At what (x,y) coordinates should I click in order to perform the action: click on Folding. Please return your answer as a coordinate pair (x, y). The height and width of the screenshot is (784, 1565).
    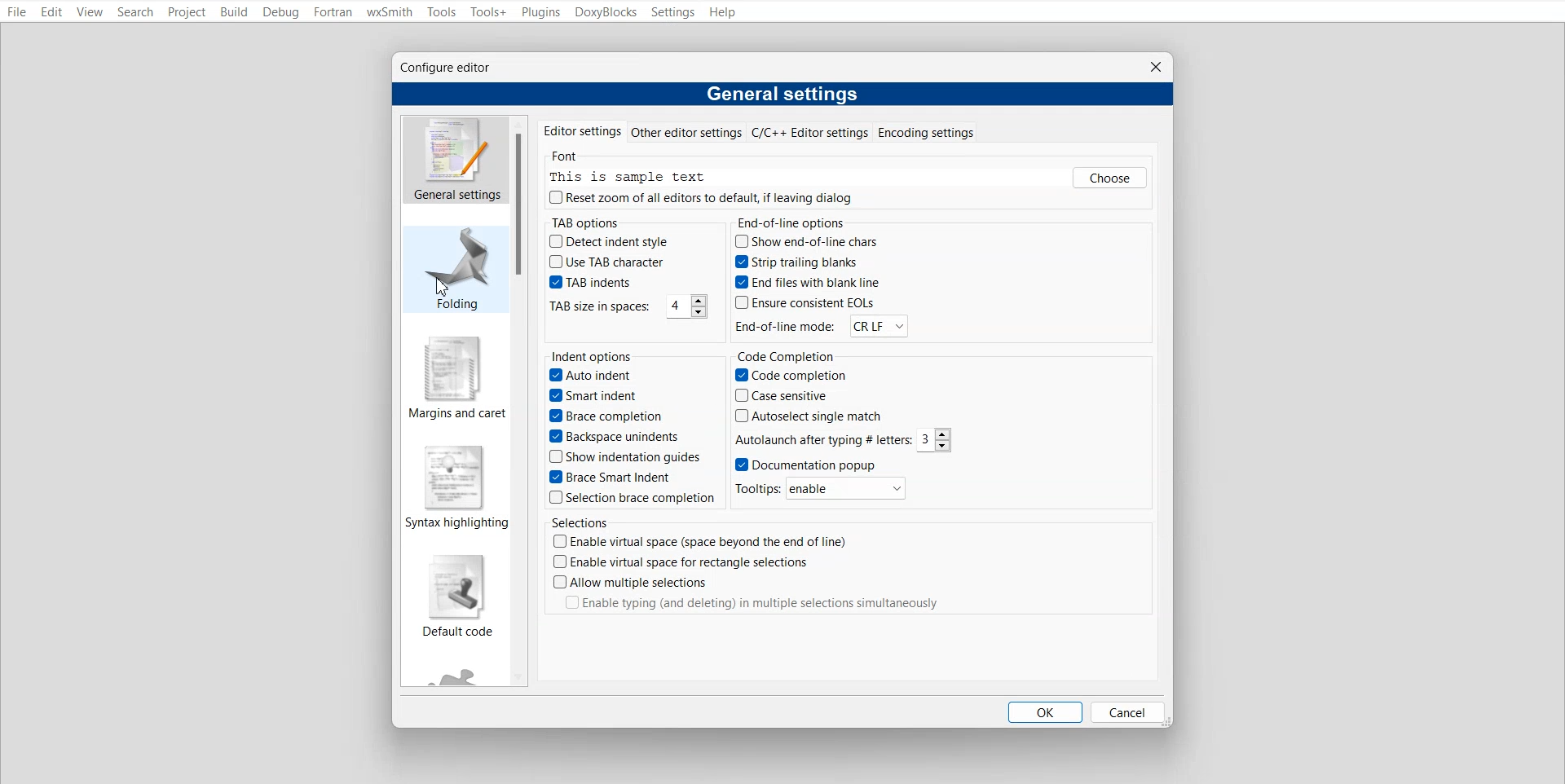
    Looking at the image, I should click on (452, 269).